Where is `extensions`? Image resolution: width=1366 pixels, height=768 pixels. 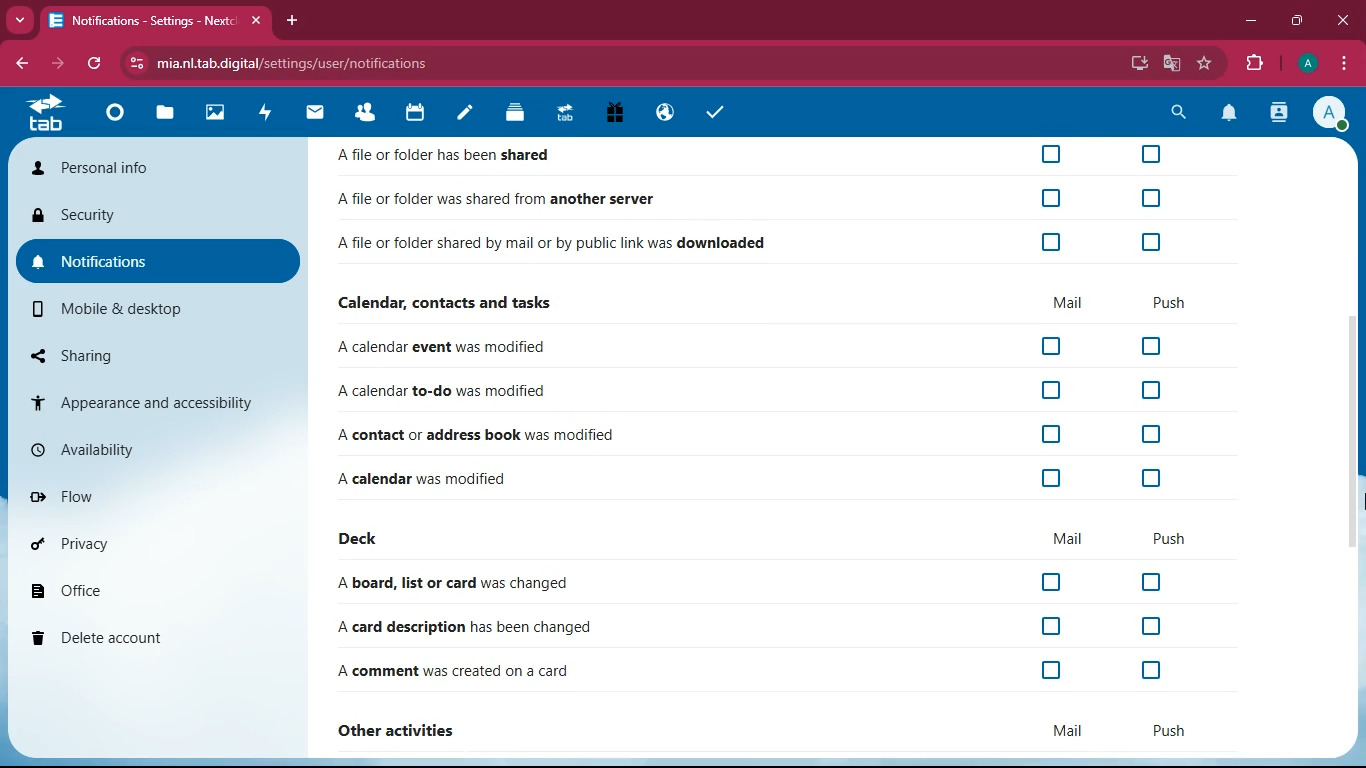
extensions is located at coordinates (1253, 65).